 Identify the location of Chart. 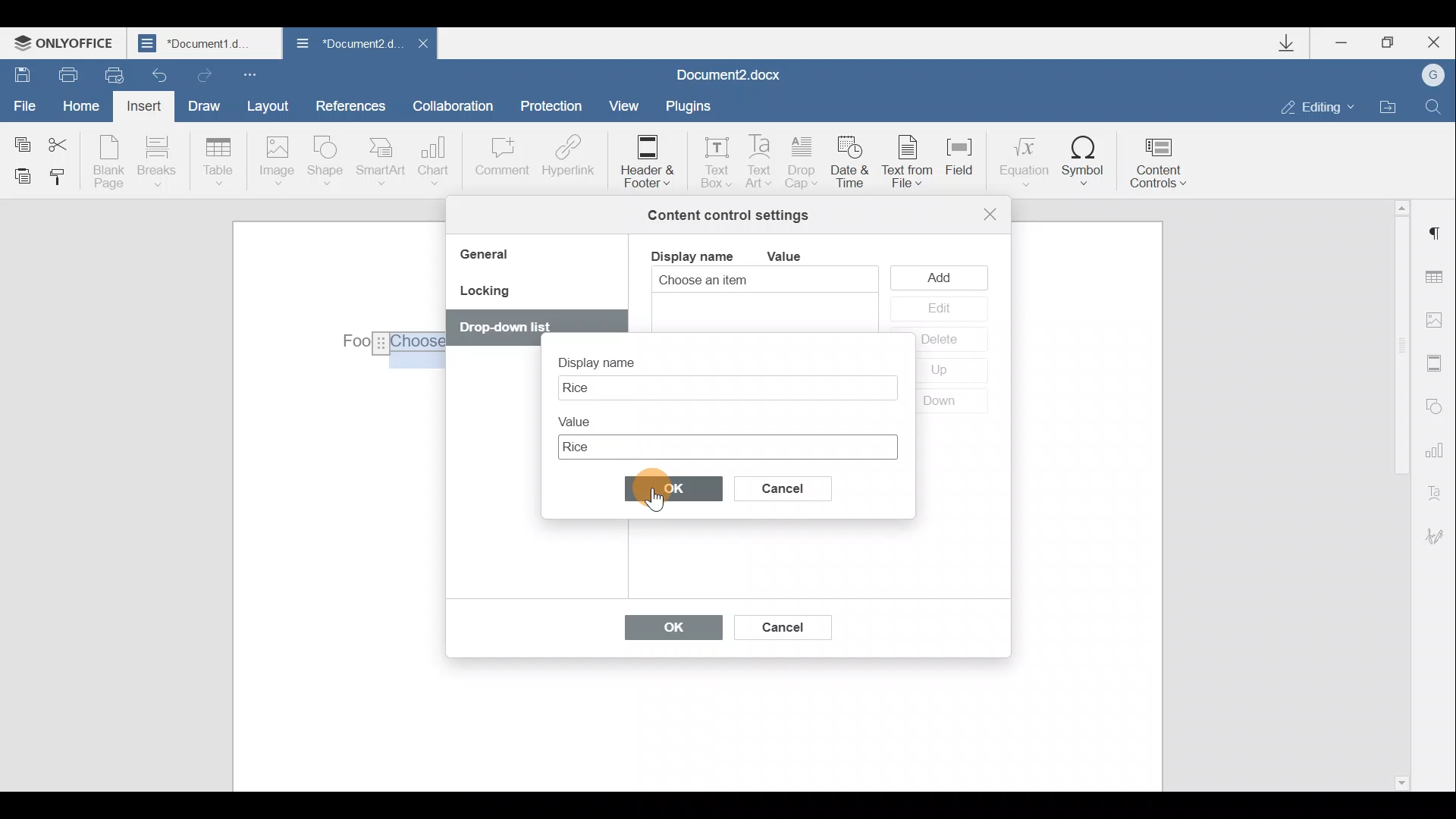
(437, 161).